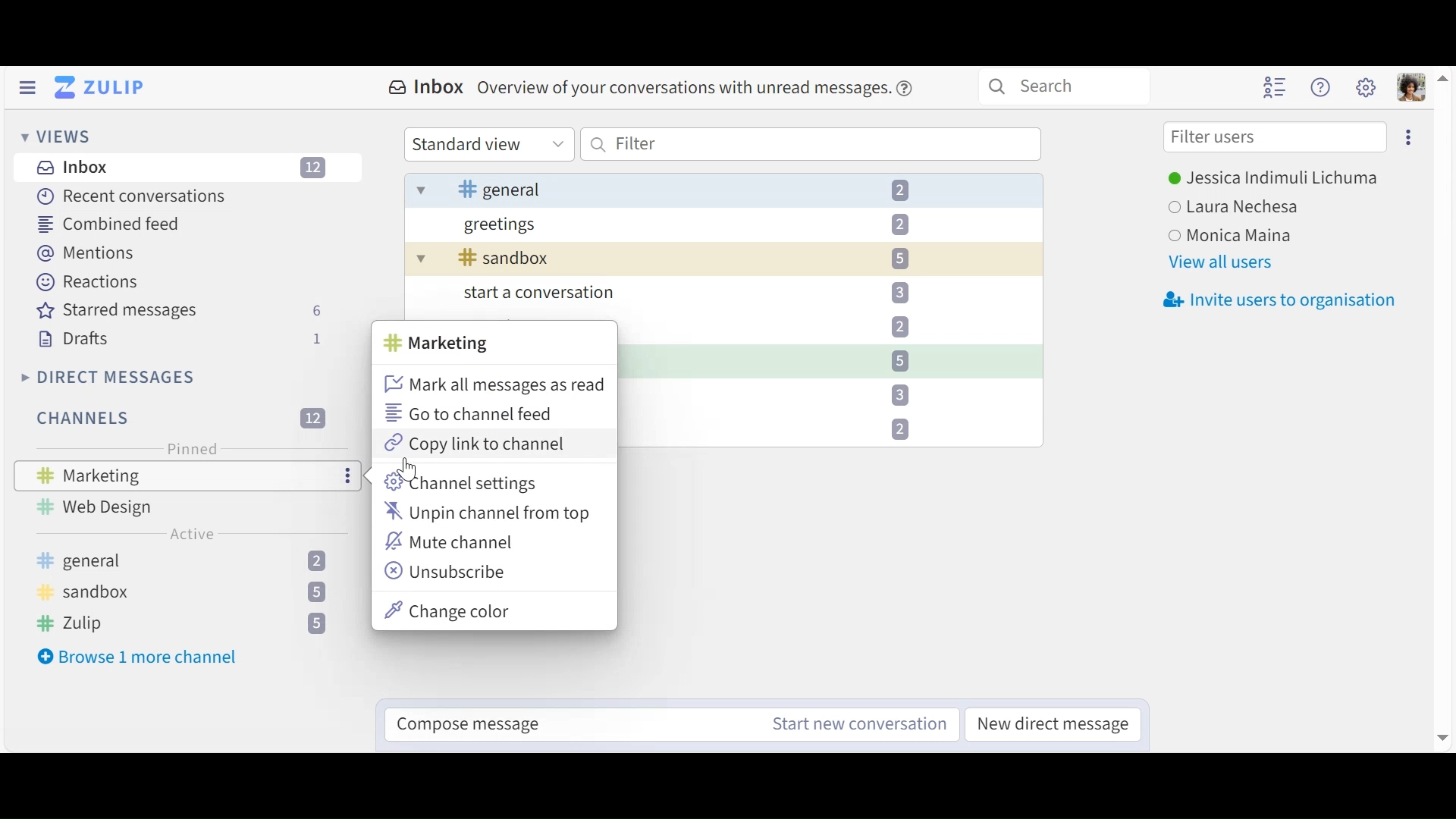 The width and height of the screenshot is (1456, 819). What do you see at coordinates (104, 507) in the screenshot?
I see `Web design` at bounding box center [104, 507].